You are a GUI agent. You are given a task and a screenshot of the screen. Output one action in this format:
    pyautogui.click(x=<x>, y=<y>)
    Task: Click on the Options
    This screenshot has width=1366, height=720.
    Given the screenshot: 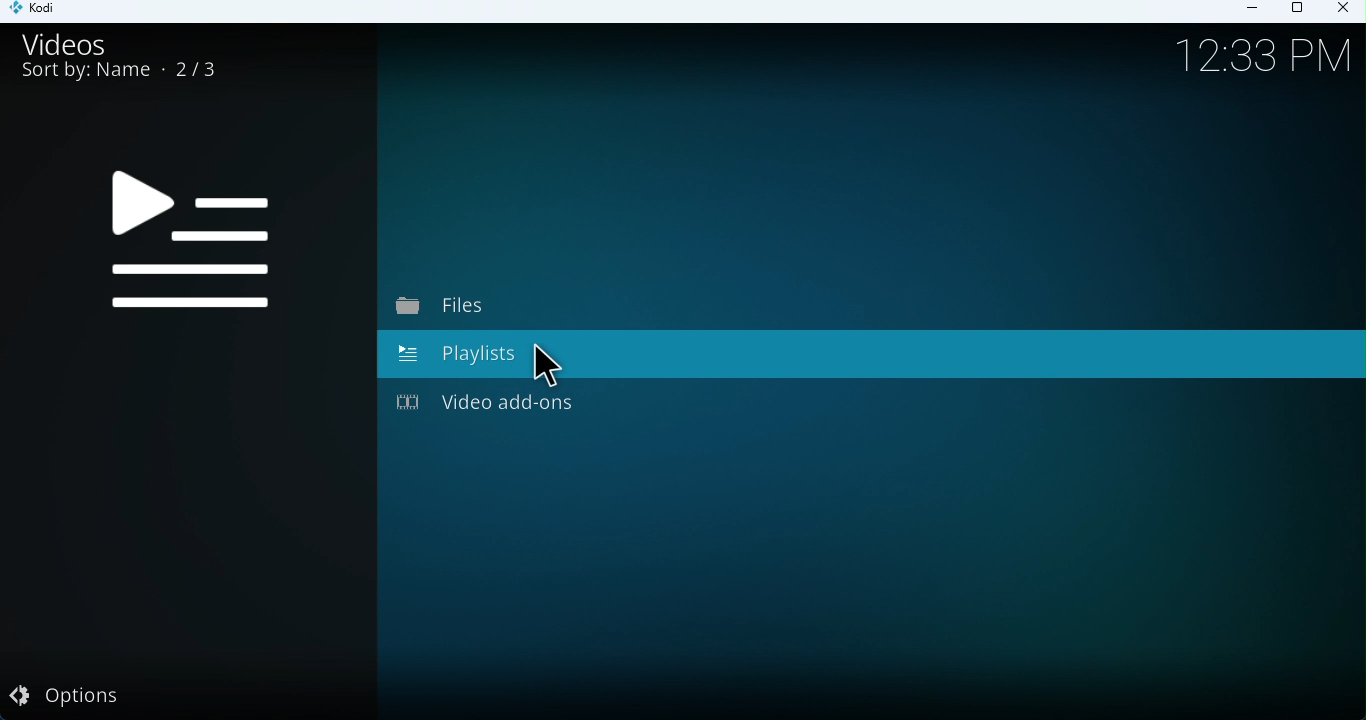 What is the action you would take?
    pyautogui.click(x=77, y=698)
    